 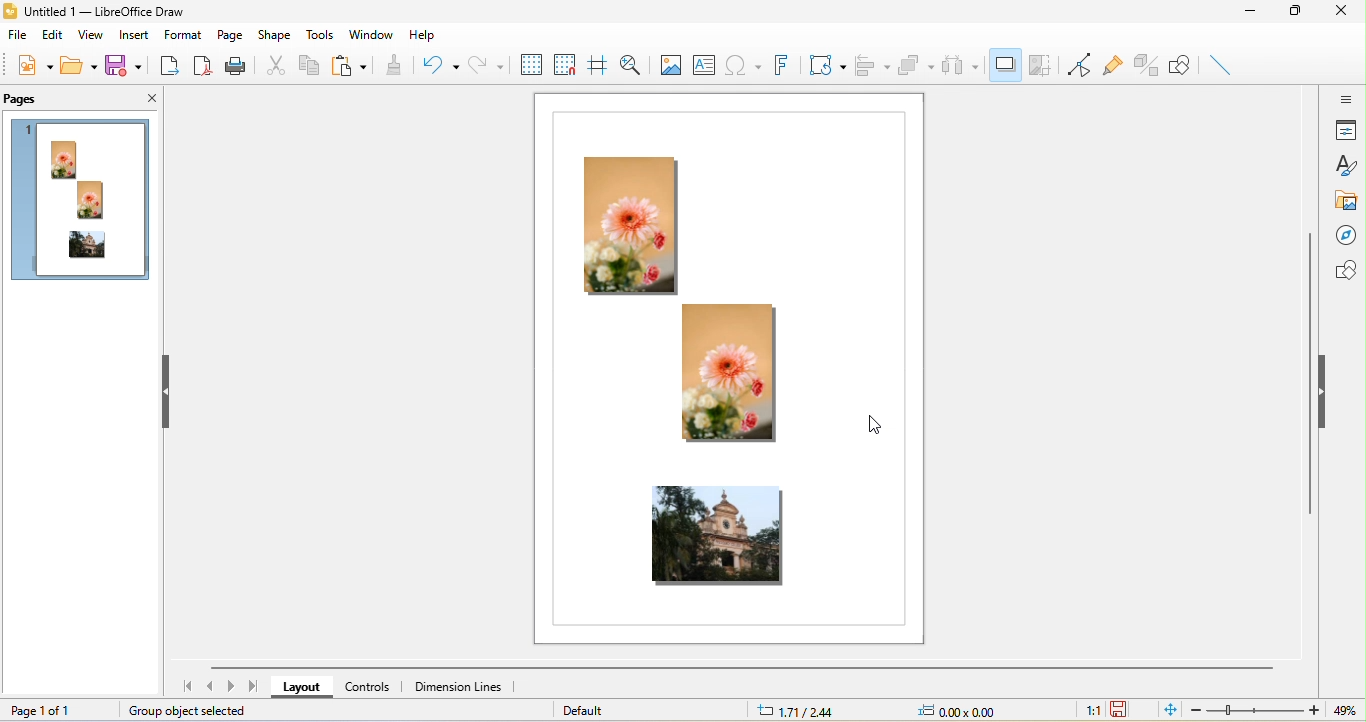 What do you see at coordinates (1184, 66) in the screenshot?
I see `show draw function` at bounding box center [1184, 66].